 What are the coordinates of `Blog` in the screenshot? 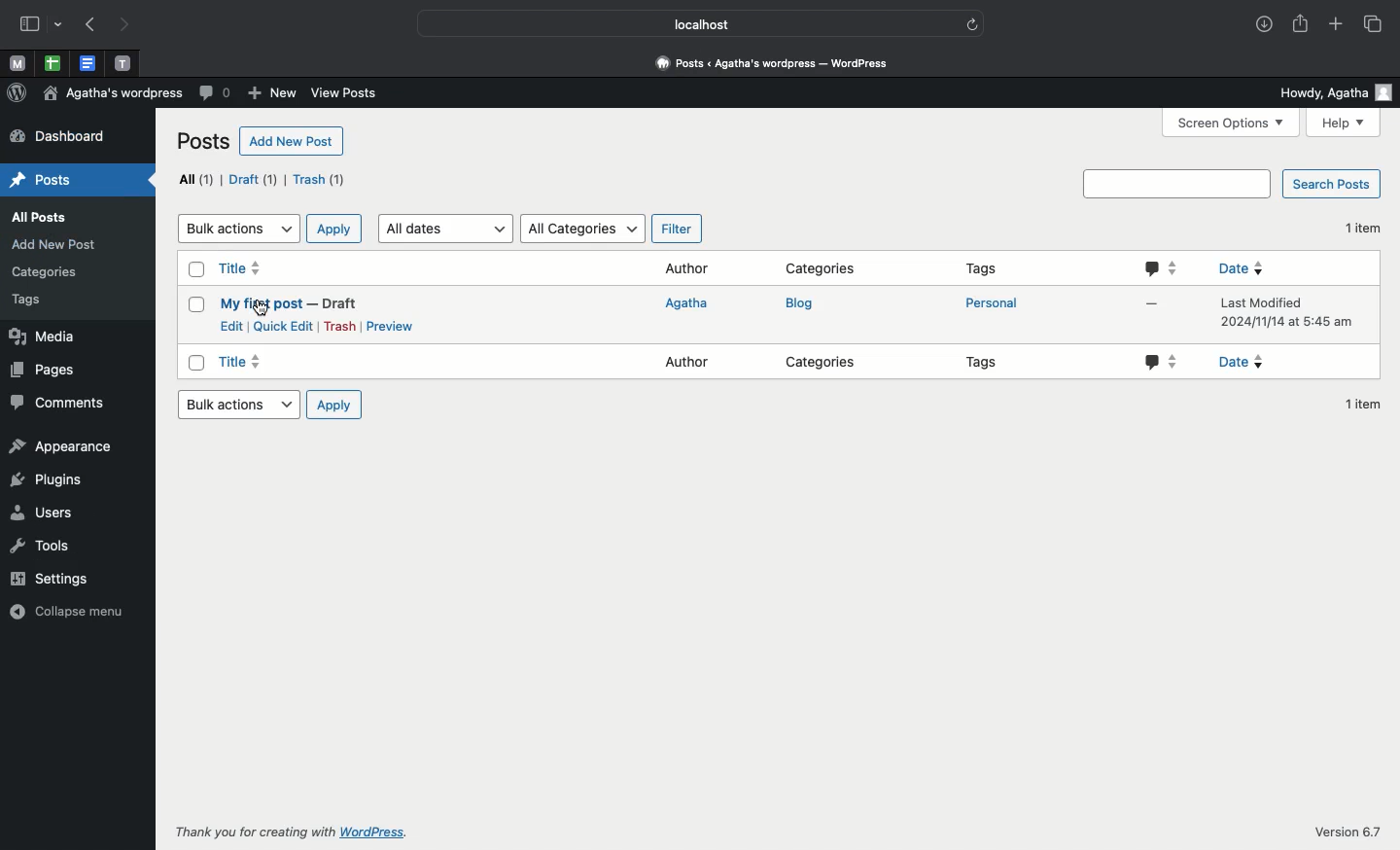 It's located at (805, 305).